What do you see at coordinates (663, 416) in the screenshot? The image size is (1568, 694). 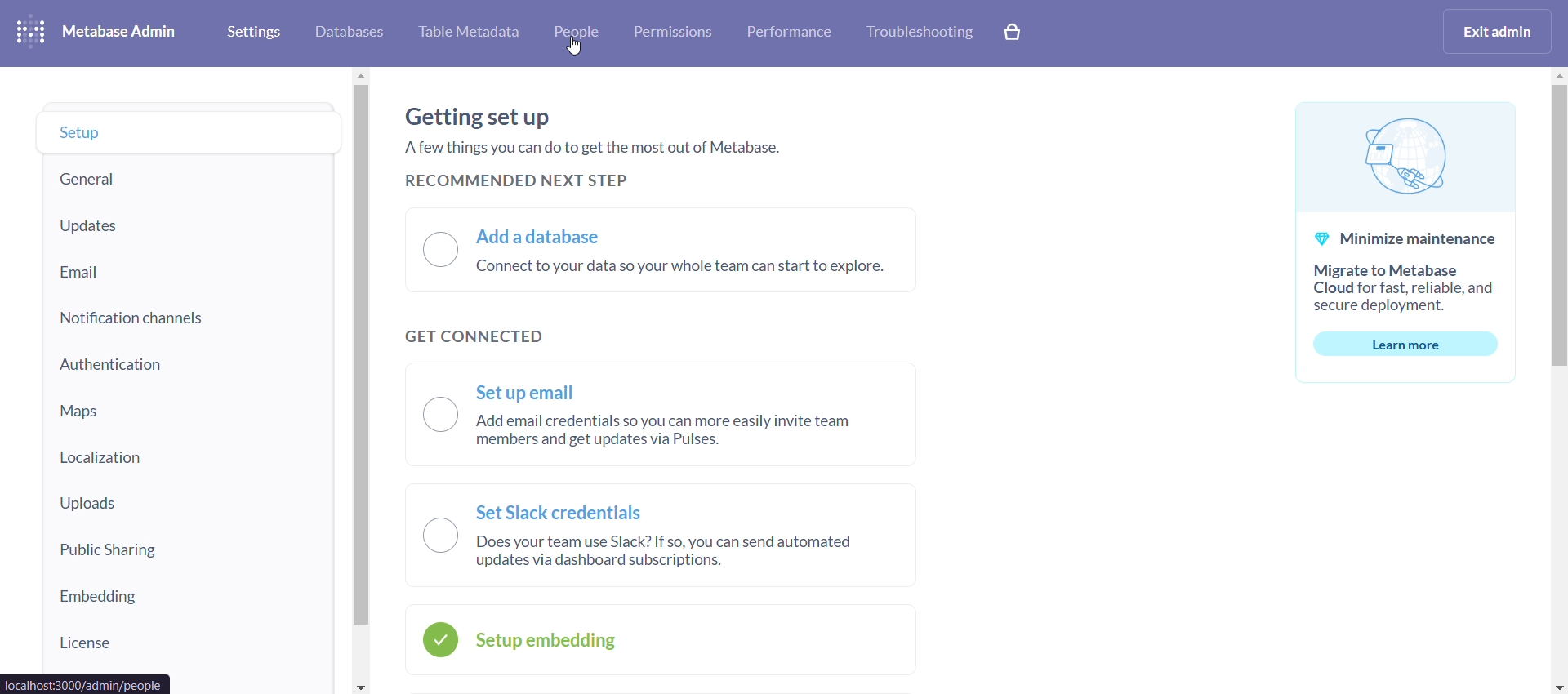 I see `set up email` at bounding box center [663, 416].